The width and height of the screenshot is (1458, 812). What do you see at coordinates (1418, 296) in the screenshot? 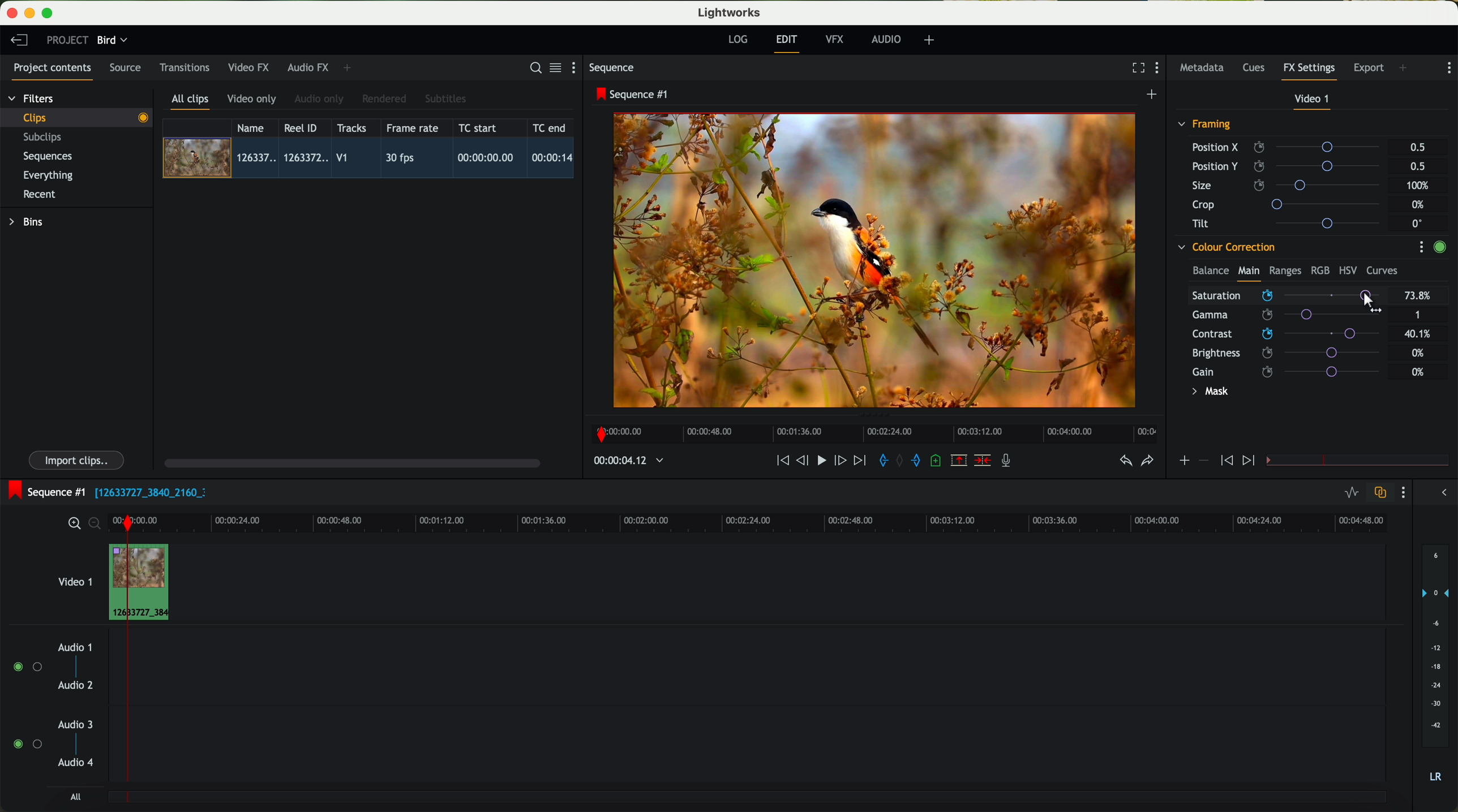
I see `73.8%` at bounding box center [1418, 296].